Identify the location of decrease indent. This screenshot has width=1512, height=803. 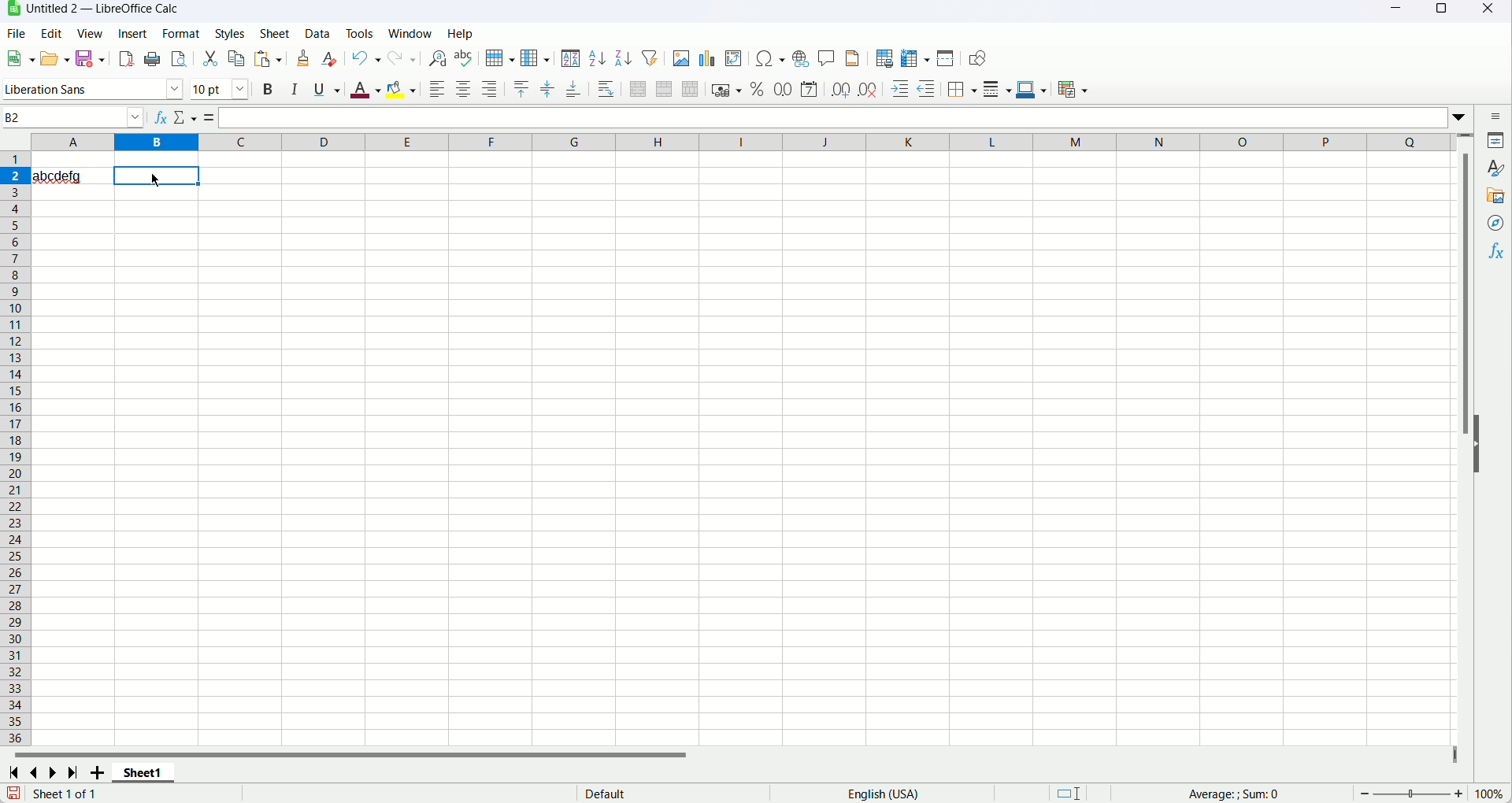
(901, 89).